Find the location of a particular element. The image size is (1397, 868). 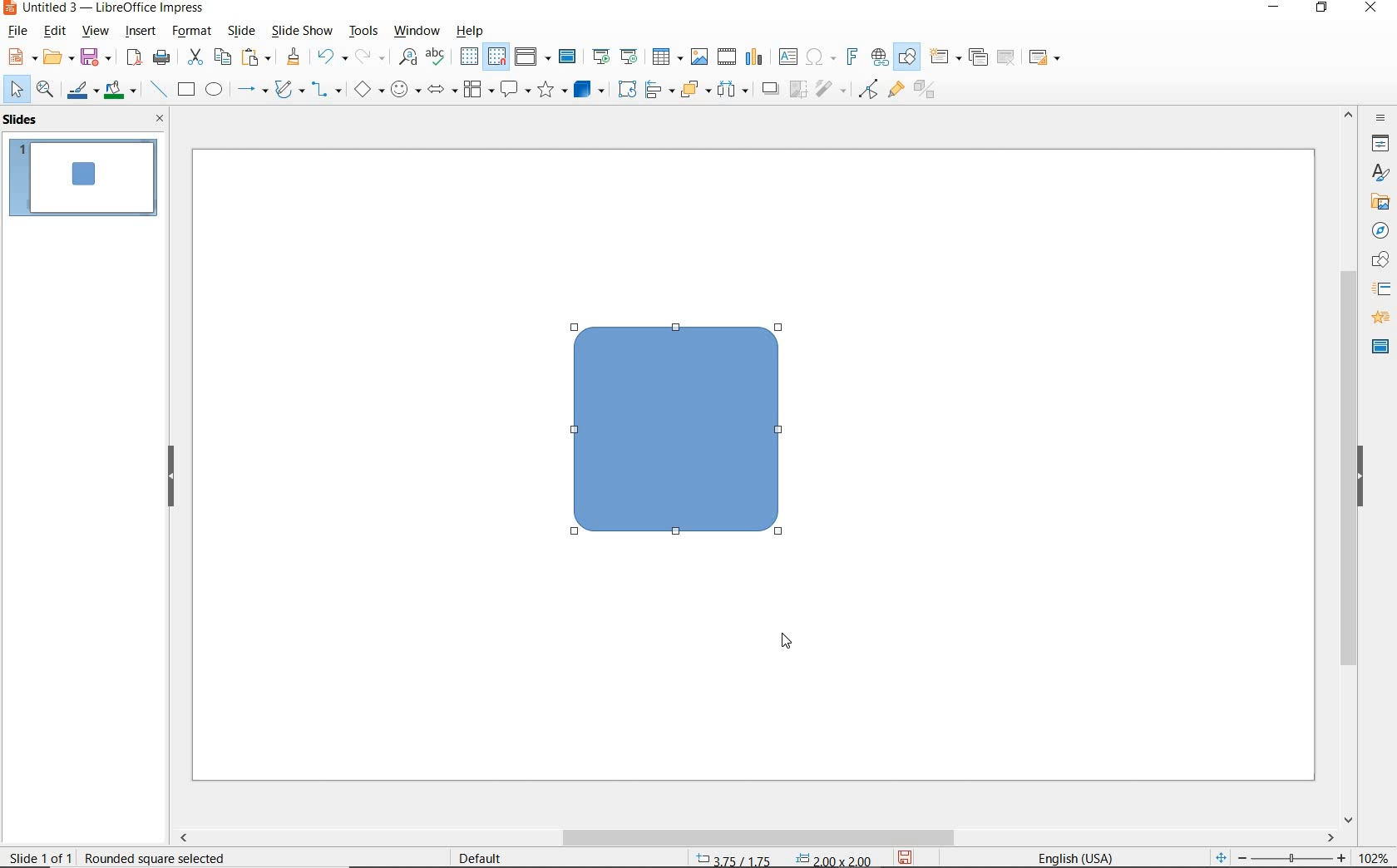

snap to grid is located at coordinates (499, 57).